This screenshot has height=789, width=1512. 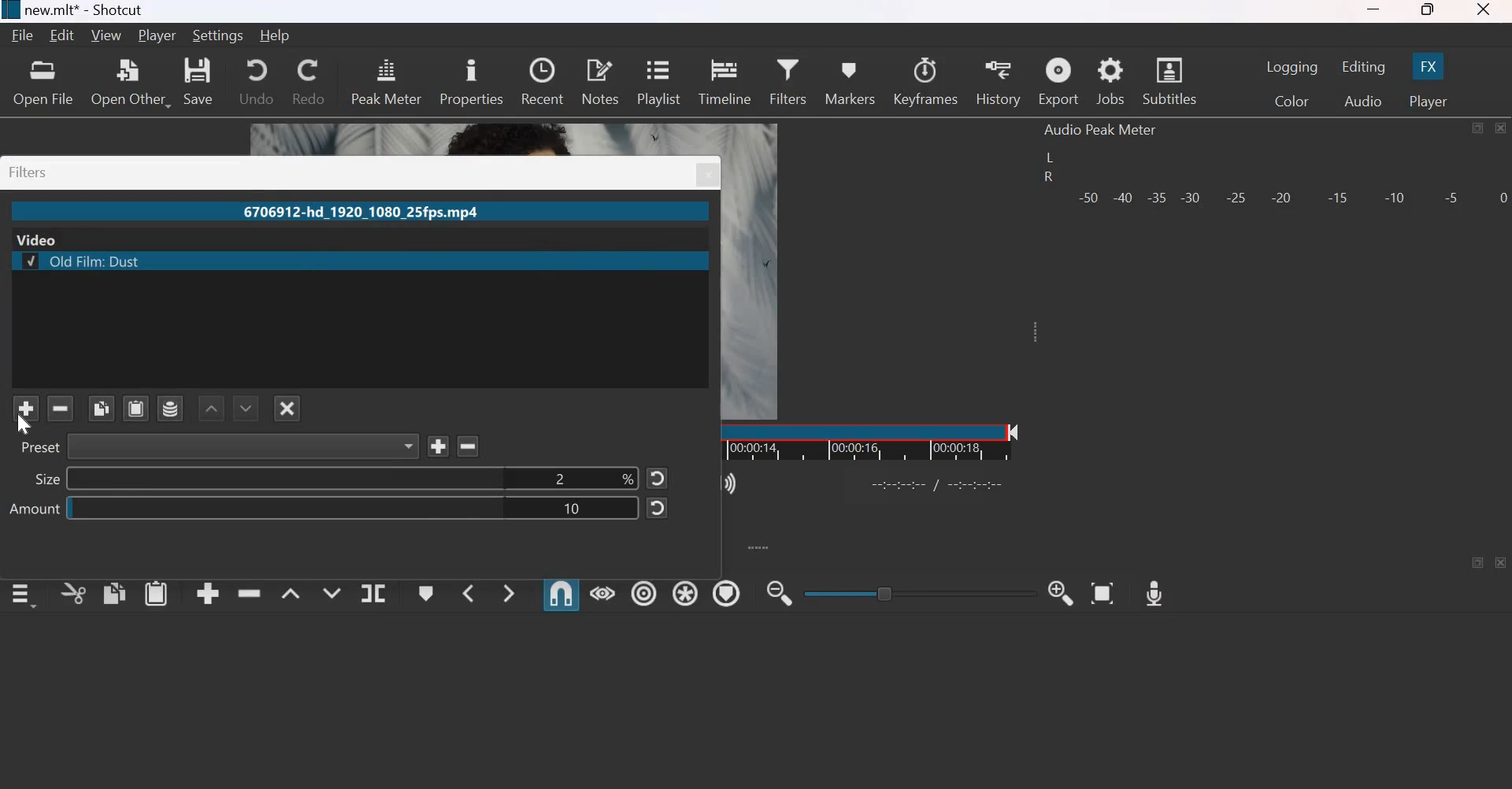 I want to click on cut, so click(x=74, y=593).